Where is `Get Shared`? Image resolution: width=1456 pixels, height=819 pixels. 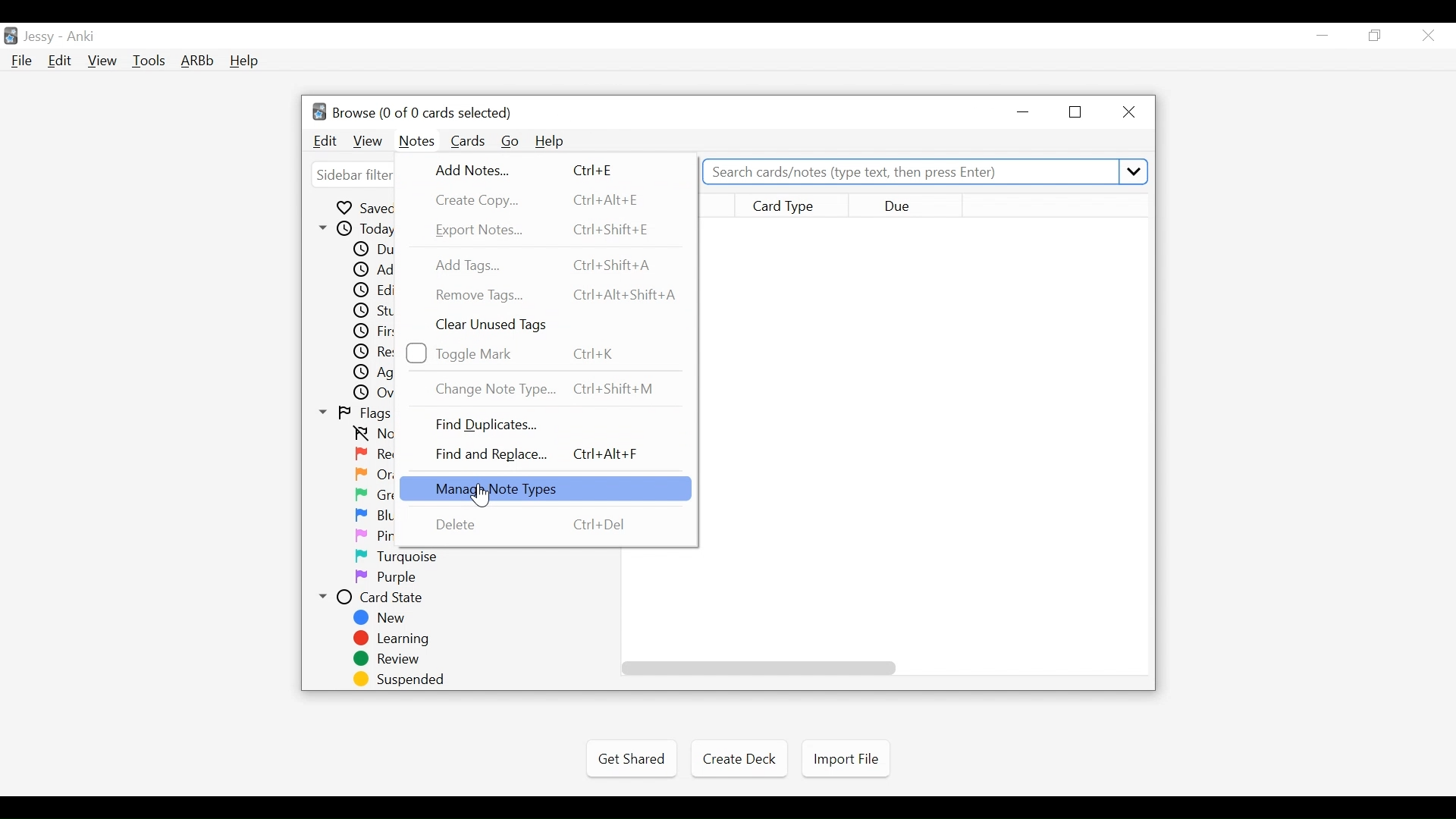
Get Shared is located at coordinates (631, 759).